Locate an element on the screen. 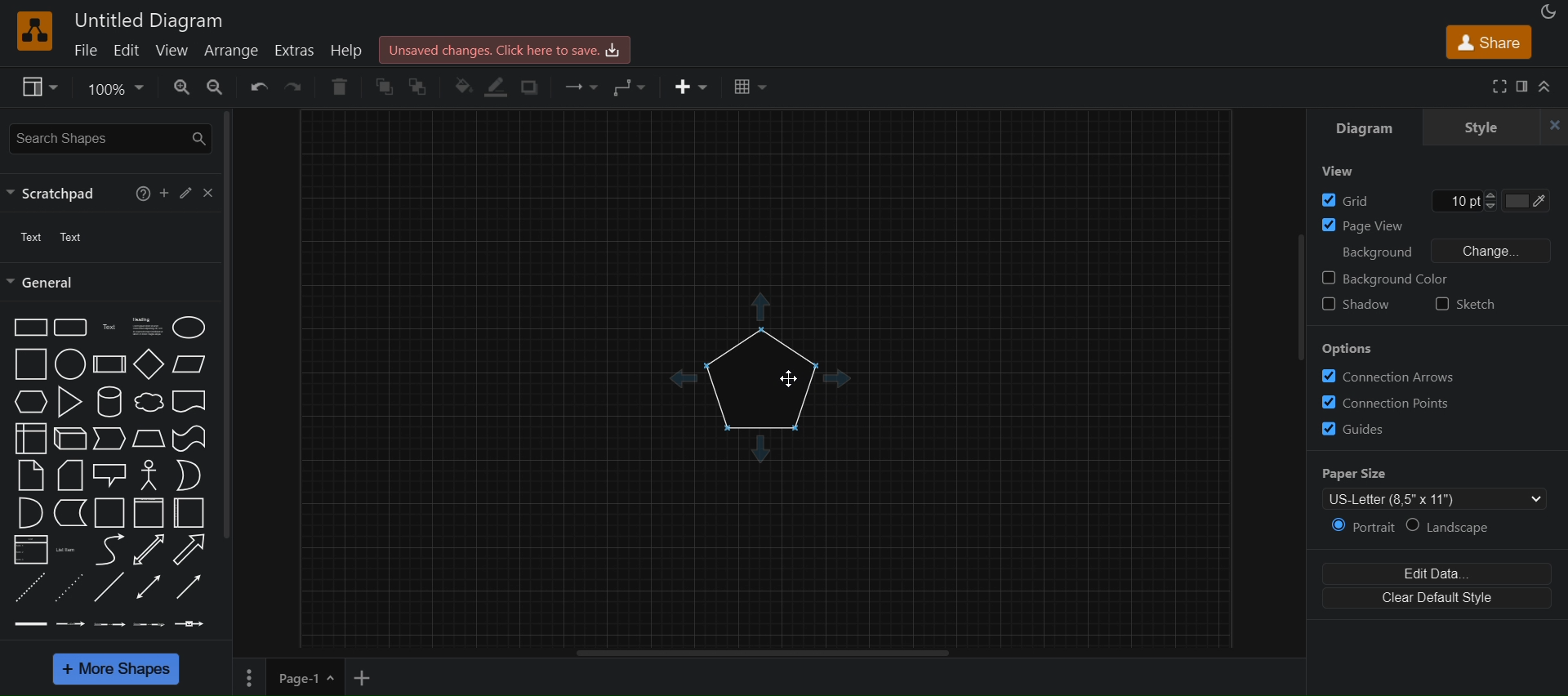  Directional connector is located at coordinates (189, 587).